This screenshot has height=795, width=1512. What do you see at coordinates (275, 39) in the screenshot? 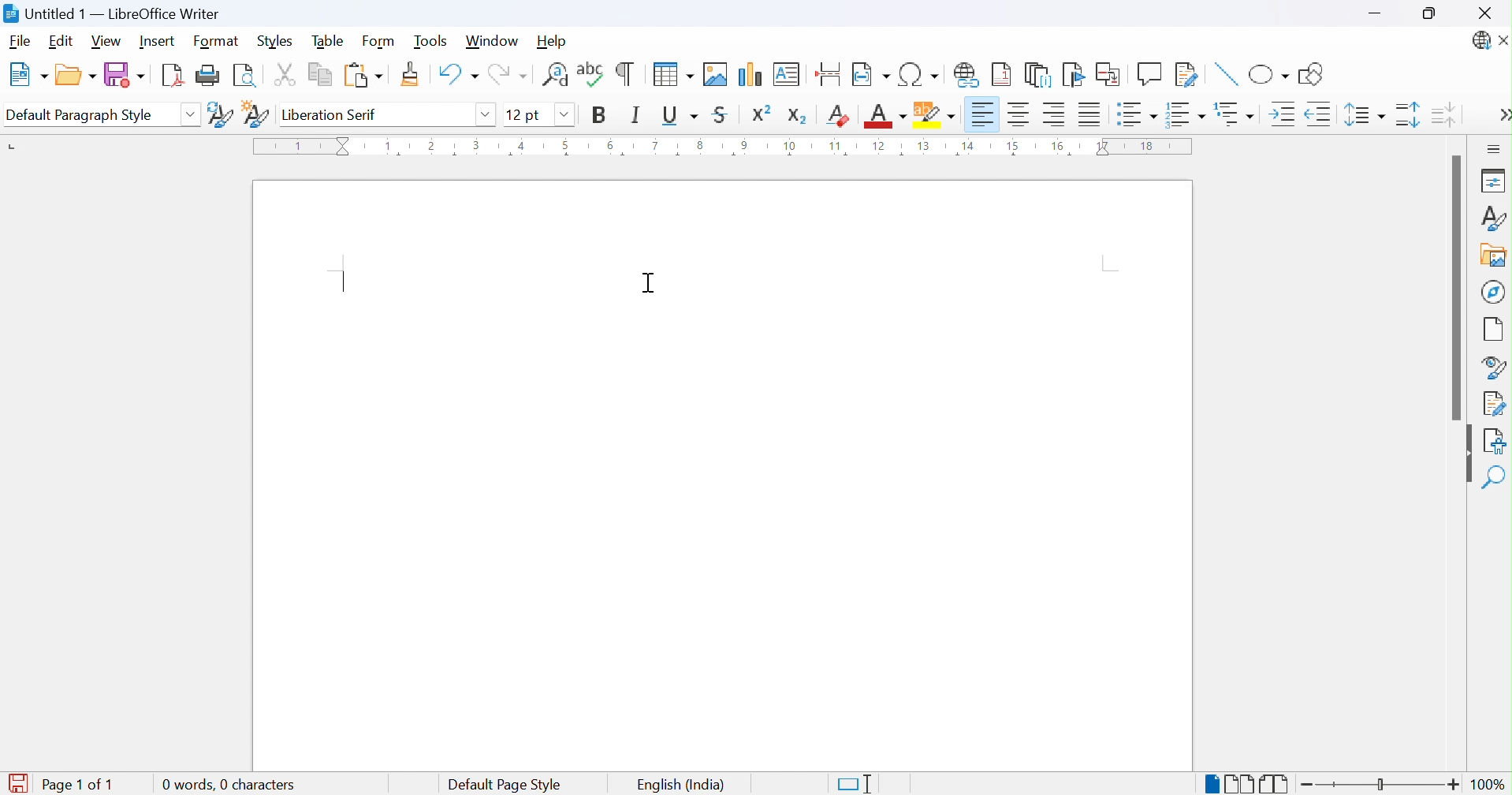
I see `Styles` at bounding box center [275, 39].